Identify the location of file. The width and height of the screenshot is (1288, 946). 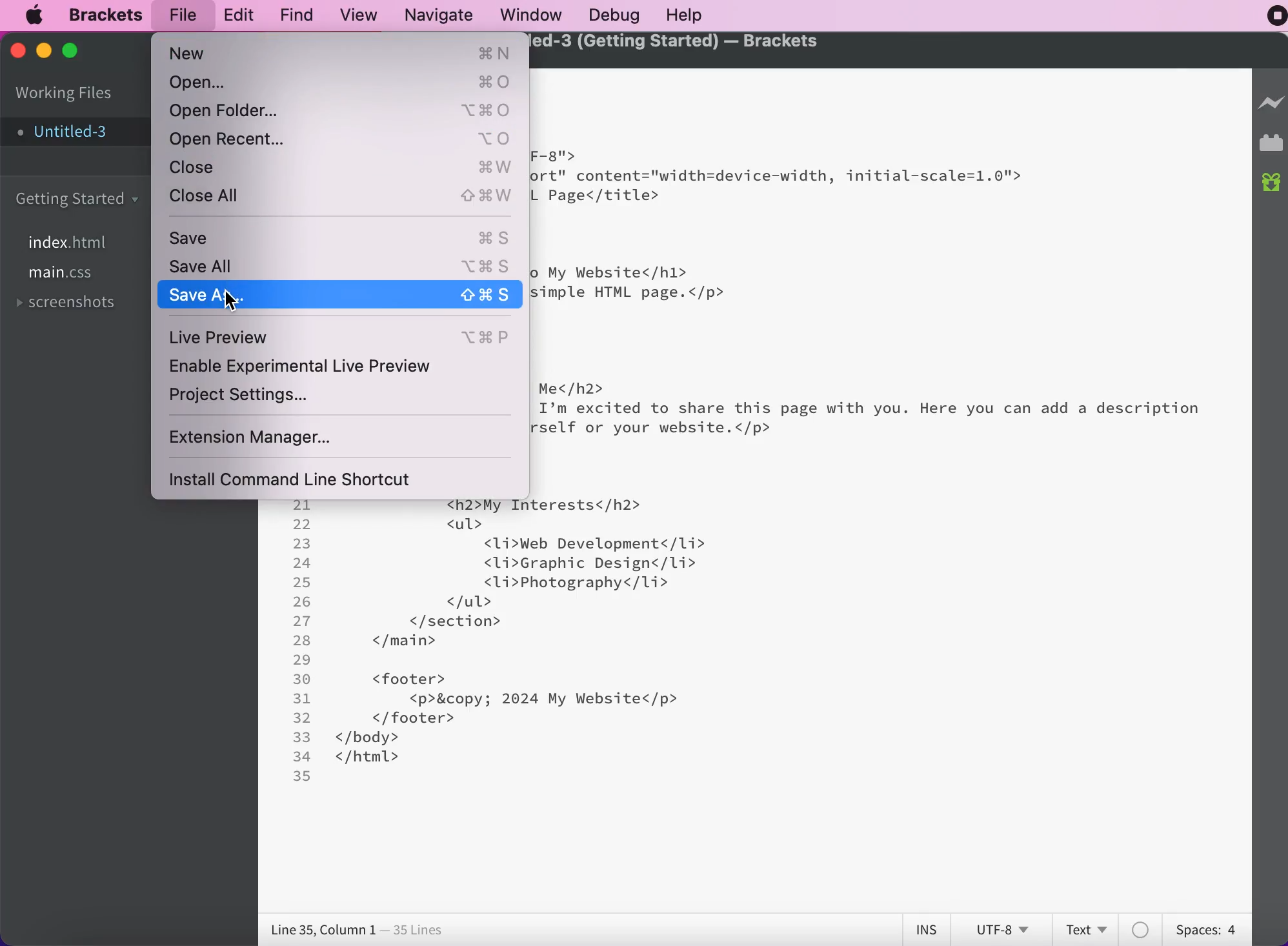
(183, 15).